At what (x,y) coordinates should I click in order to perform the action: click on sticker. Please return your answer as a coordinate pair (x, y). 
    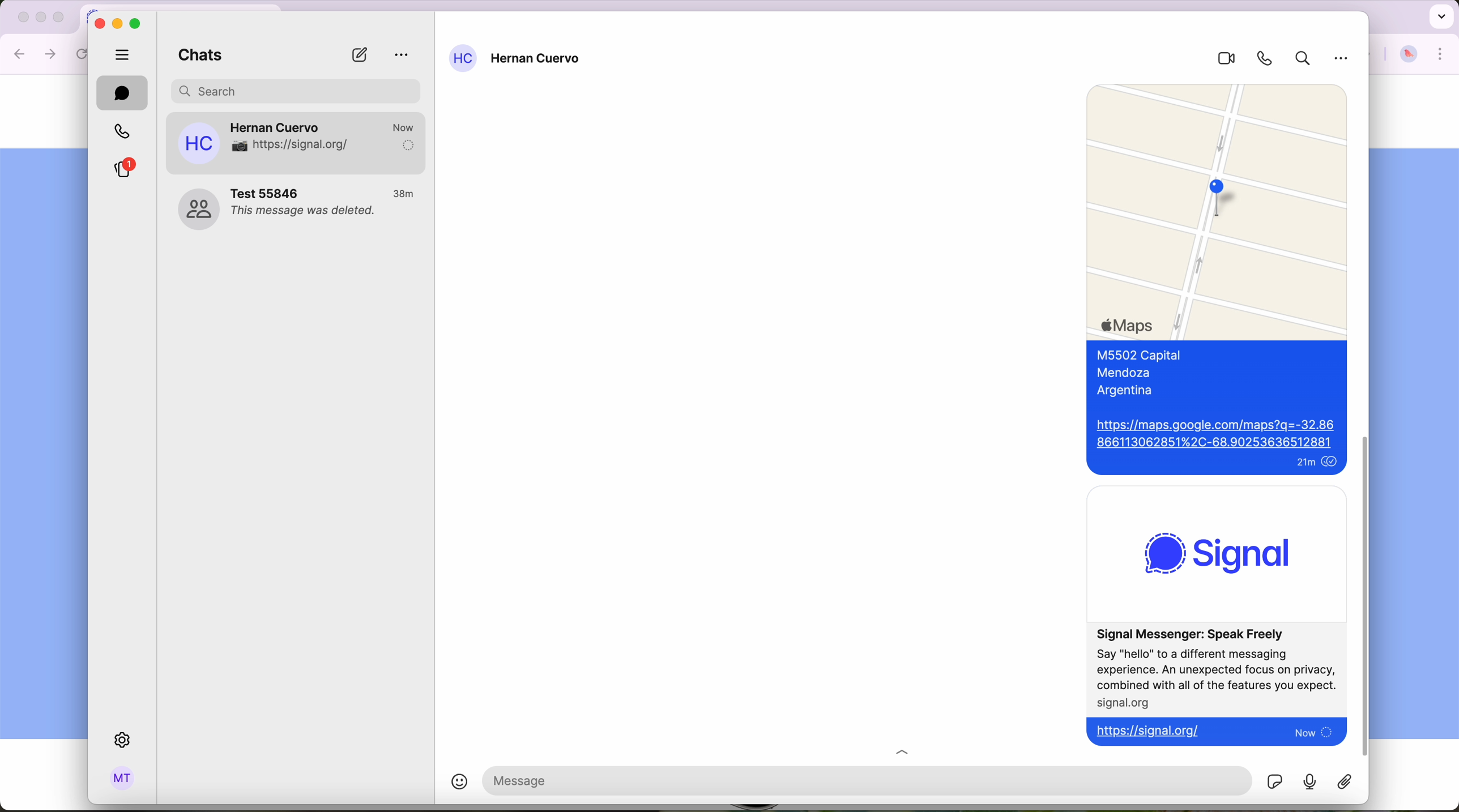
    Looking at the image, I should click on (1346, 782).